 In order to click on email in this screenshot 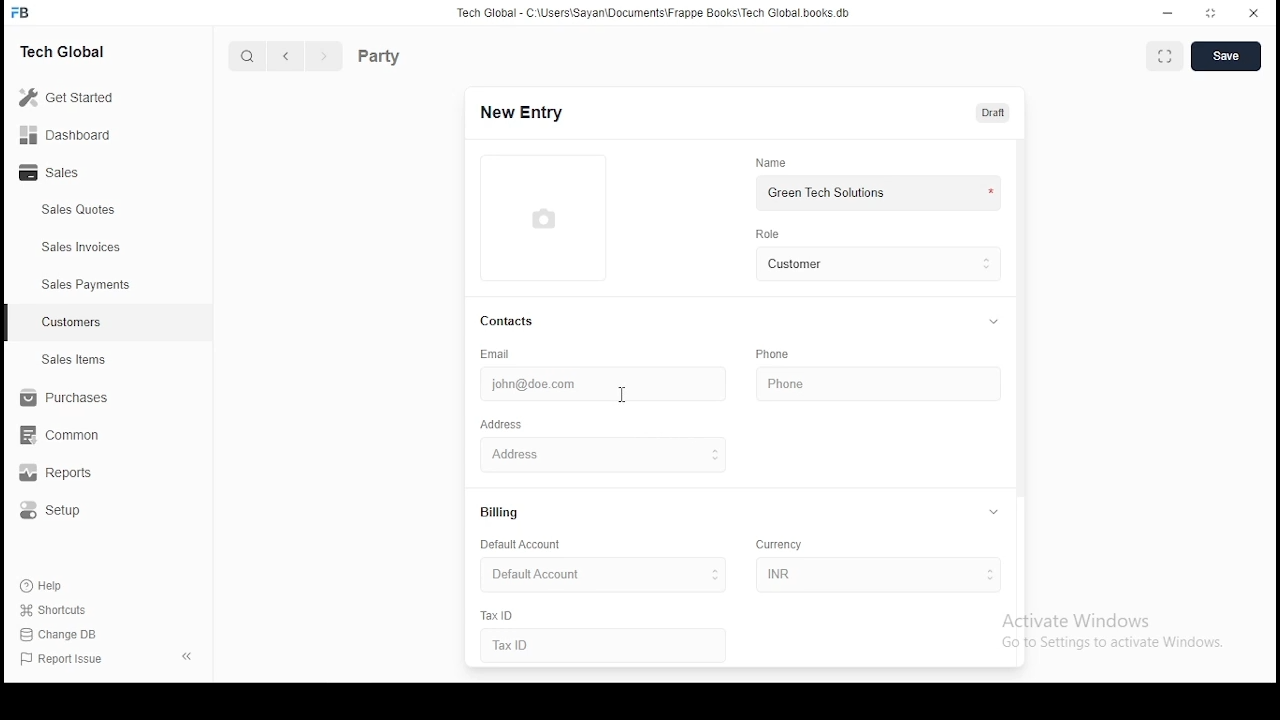, I will do `click(497, 354)`.